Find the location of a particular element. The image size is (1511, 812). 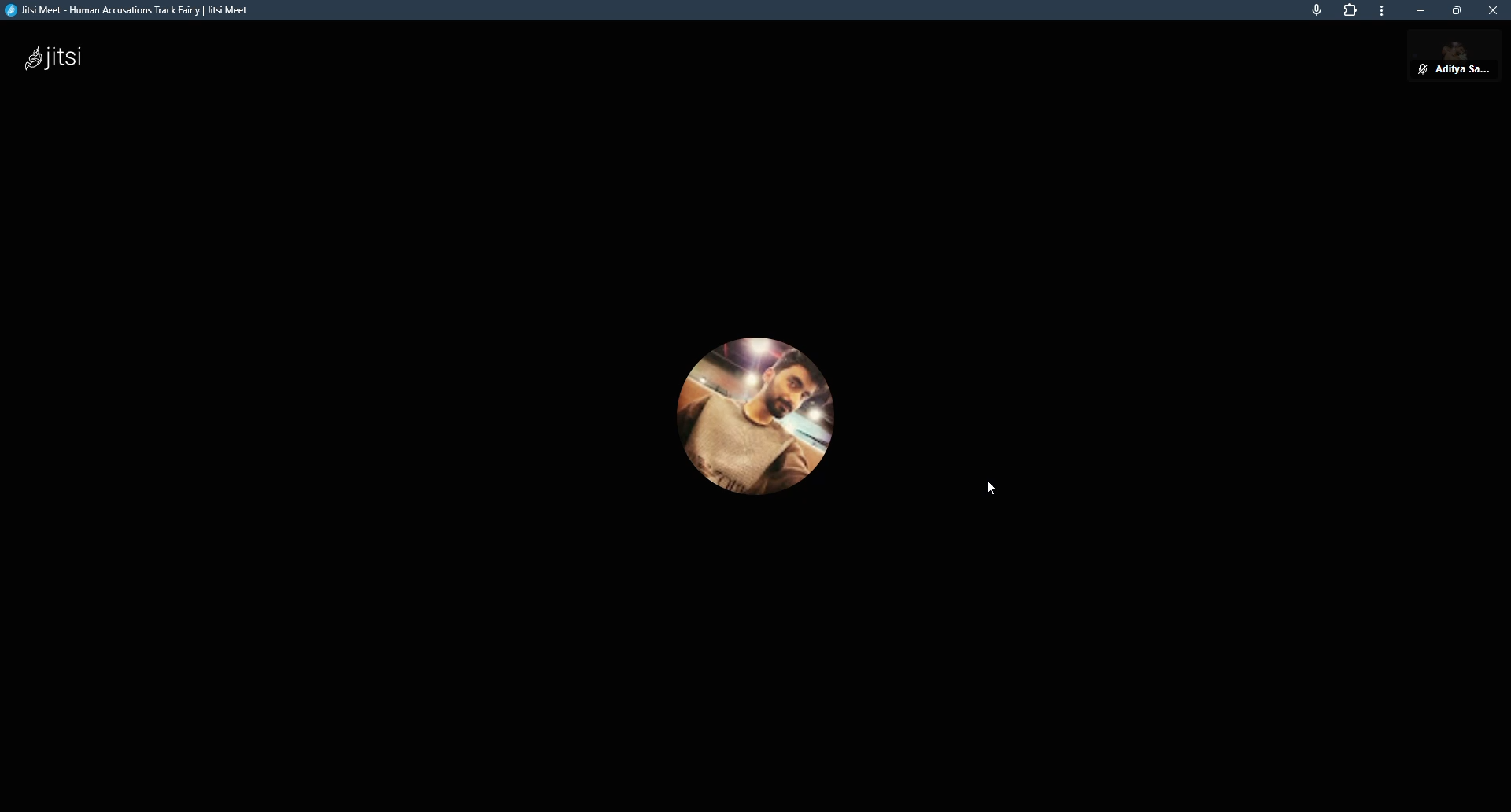

profile is located at coordinates (746, 408).